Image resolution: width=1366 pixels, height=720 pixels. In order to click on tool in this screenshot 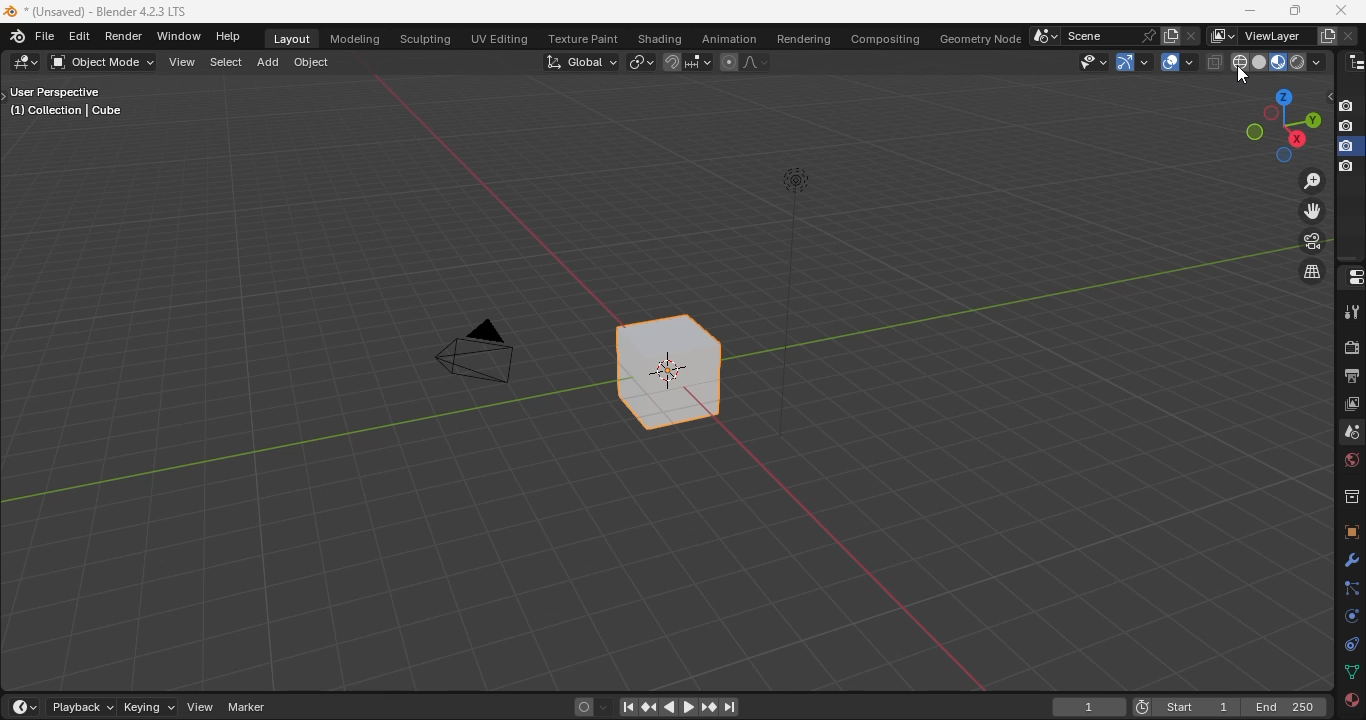, I will do `click(1351, 312)`.